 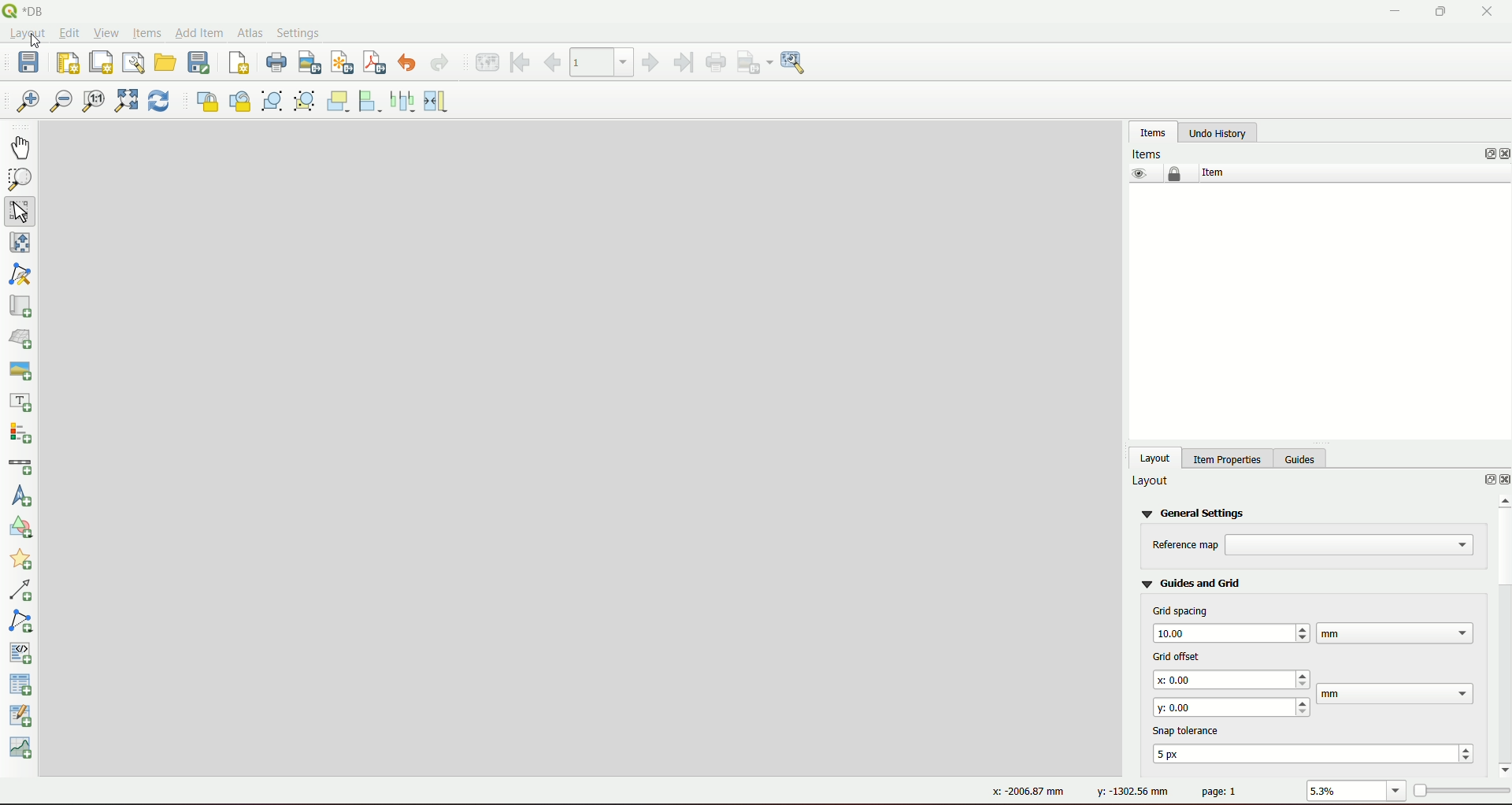 I want to click on resize item width, so click(x=439, y=101).